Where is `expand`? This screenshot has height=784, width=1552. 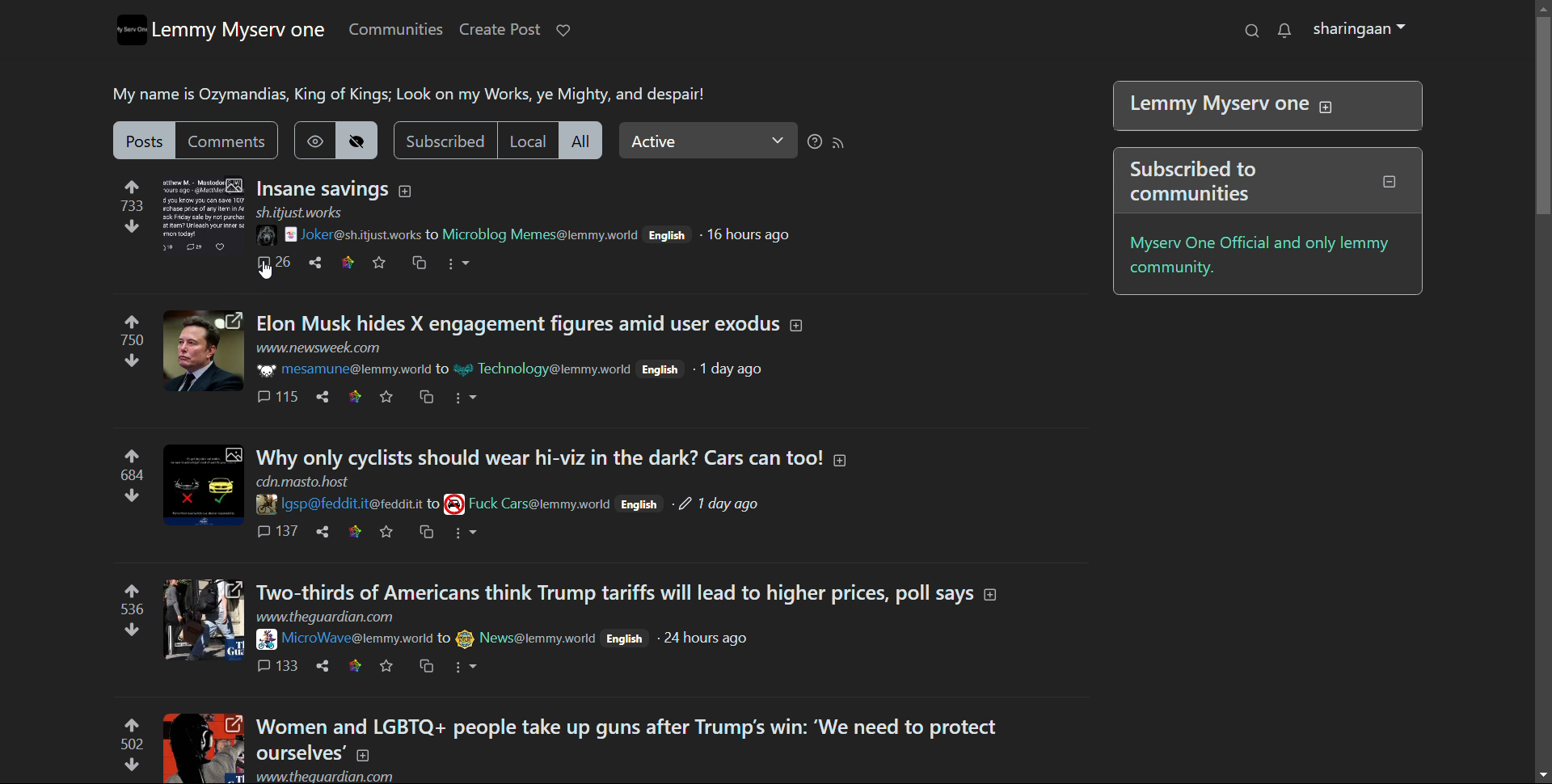 expand is located at coordinates (841, 461).